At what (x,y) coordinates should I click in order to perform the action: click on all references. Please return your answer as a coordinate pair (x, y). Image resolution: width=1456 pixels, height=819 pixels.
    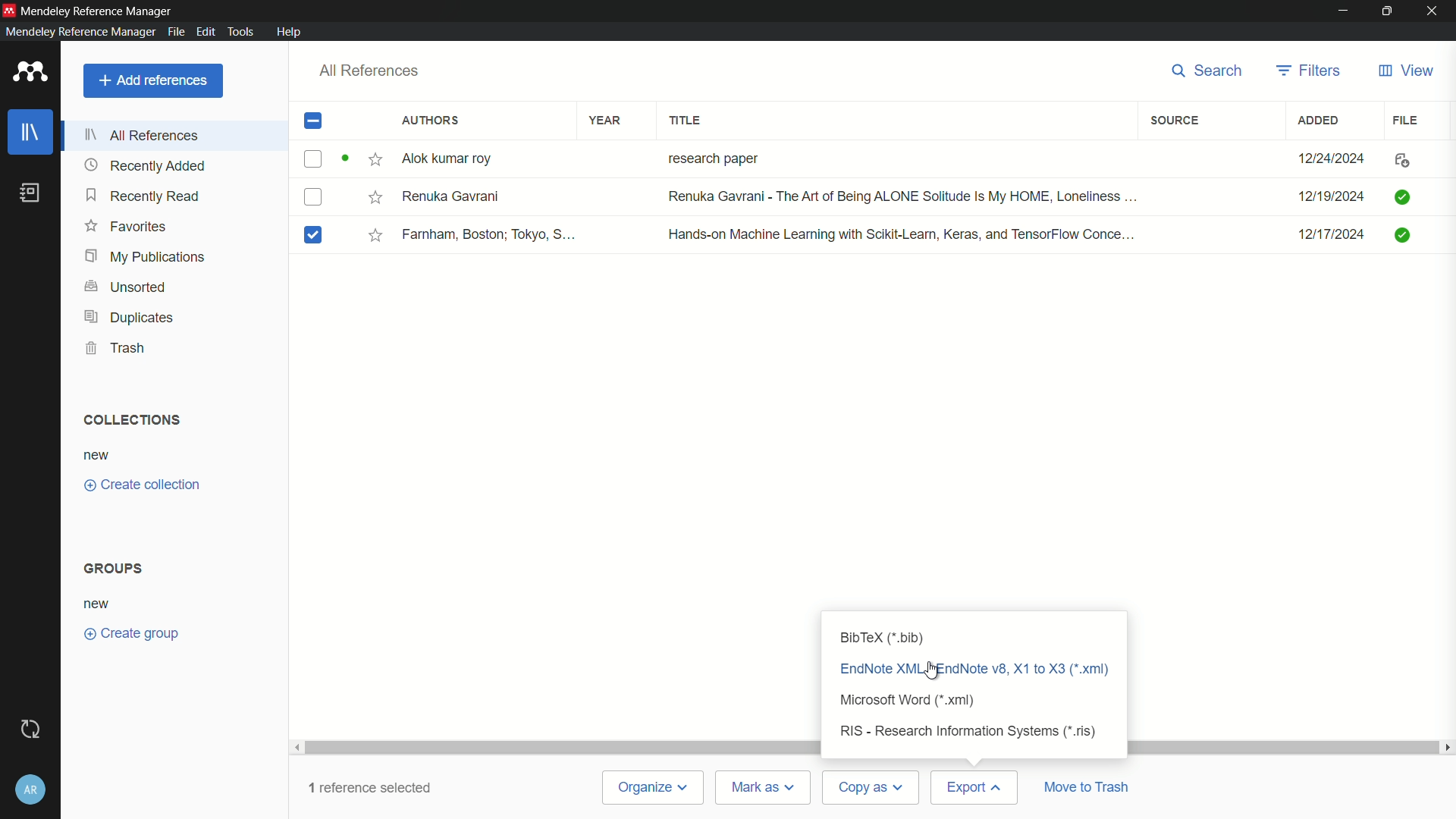
    Looking at the image, I should click on (142, 137).